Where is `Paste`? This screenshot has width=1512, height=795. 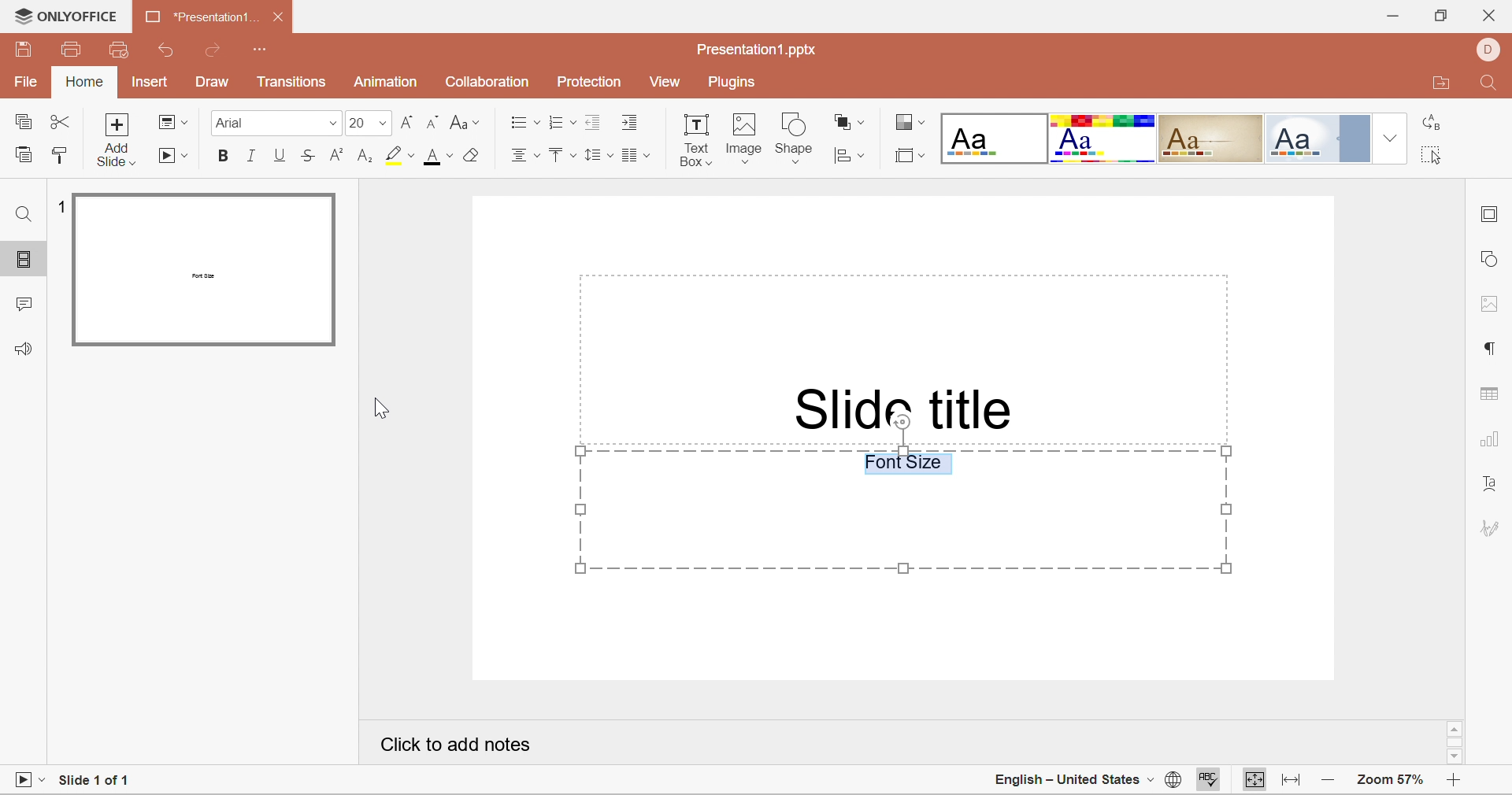 Paste is located at coordinates (23, 158).